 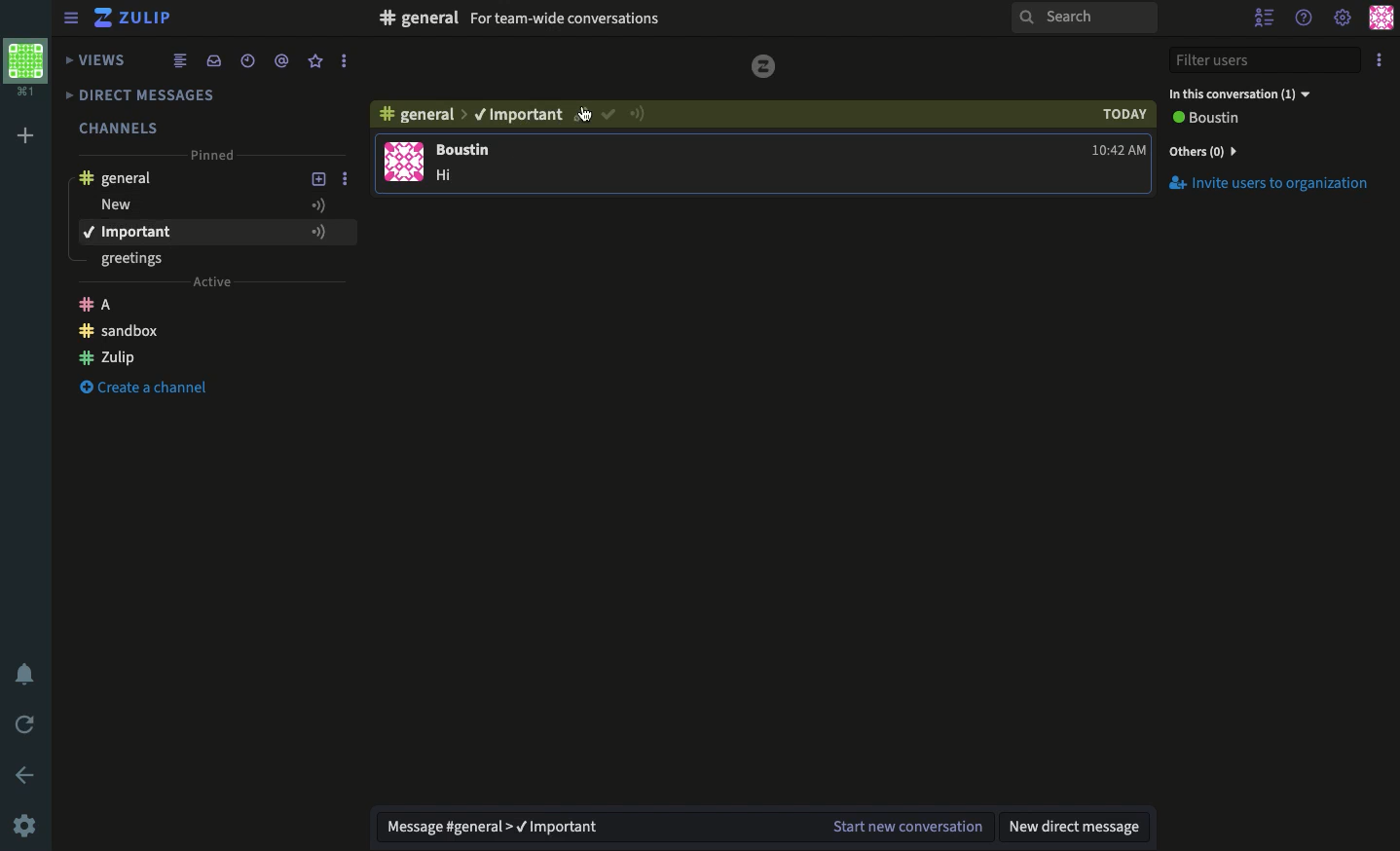 I want to click on Filter users, so click(x=1266, y=58).